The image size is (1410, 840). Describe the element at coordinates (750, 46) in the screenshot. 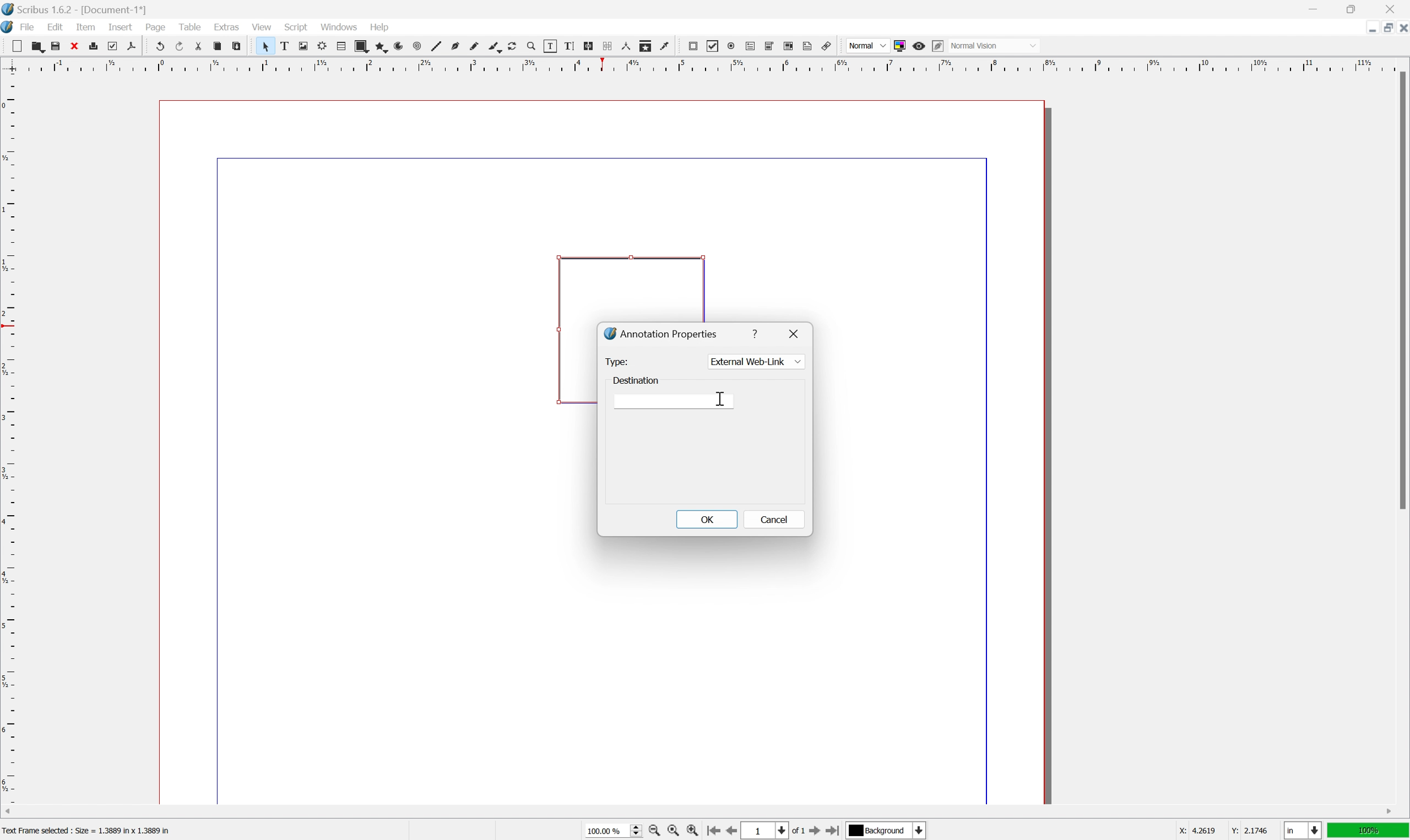

I see `pdf text field` at that location.